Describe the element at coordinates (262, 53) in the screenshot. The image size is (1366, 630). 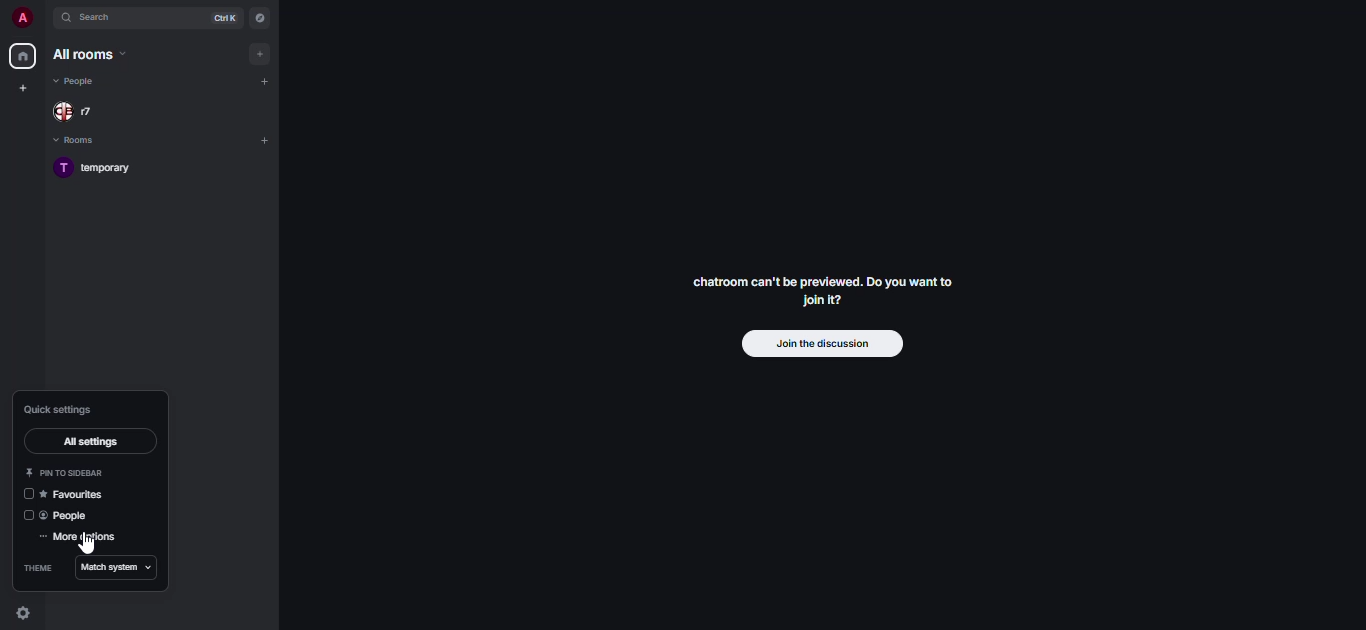
I see `add` at that location.